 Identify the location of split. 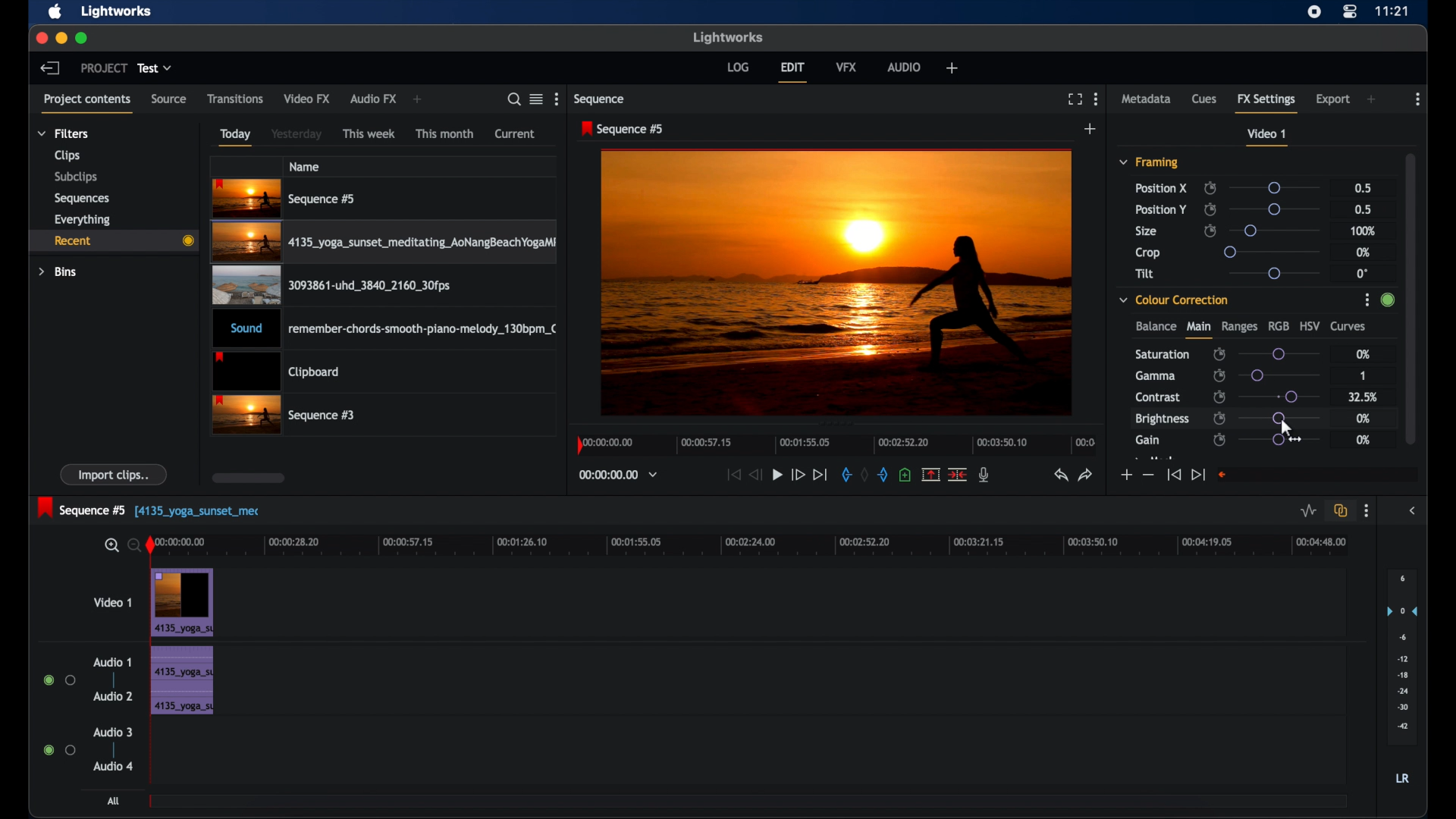
(959, 473).